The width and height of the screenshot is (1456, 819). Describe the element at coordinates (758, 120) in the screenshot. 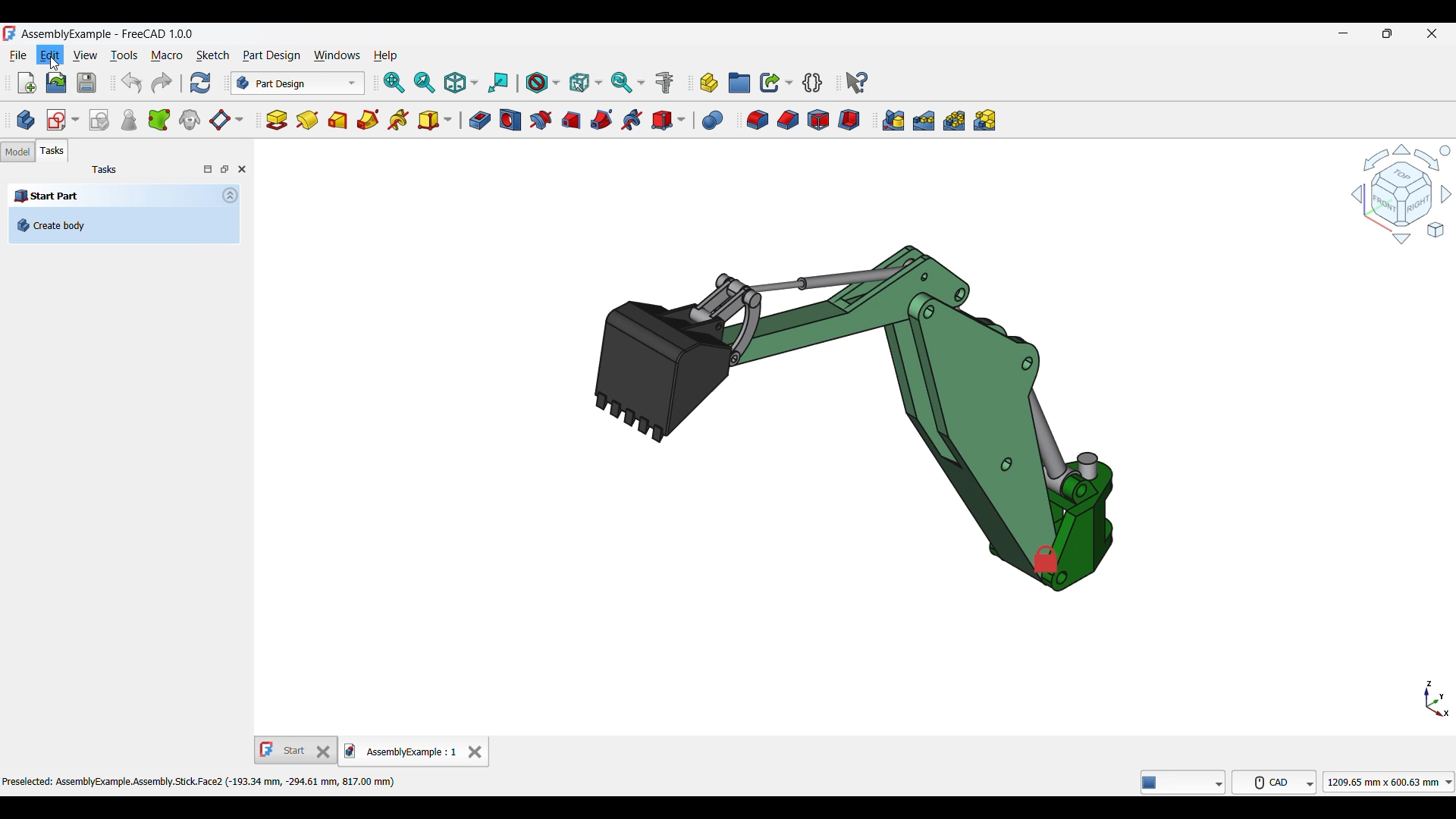

I see `Fillet` at that location.